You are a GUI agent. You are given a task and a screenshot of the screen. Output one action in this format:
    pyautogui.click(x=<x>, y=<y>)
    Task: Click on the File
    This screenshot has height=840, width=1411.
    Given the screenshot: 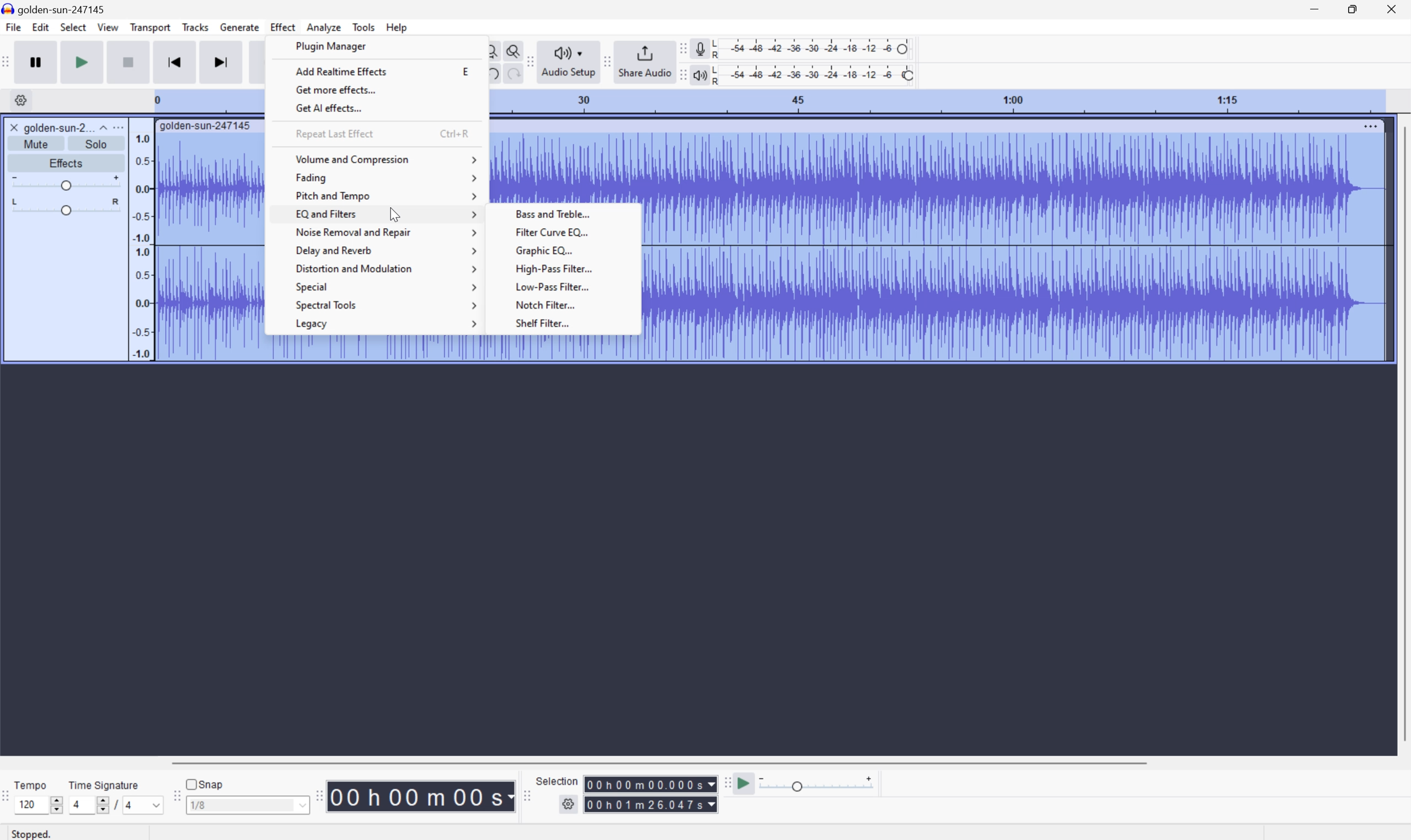 What is the action you would take?
    pyautogui.click(x=12, y=27)
    